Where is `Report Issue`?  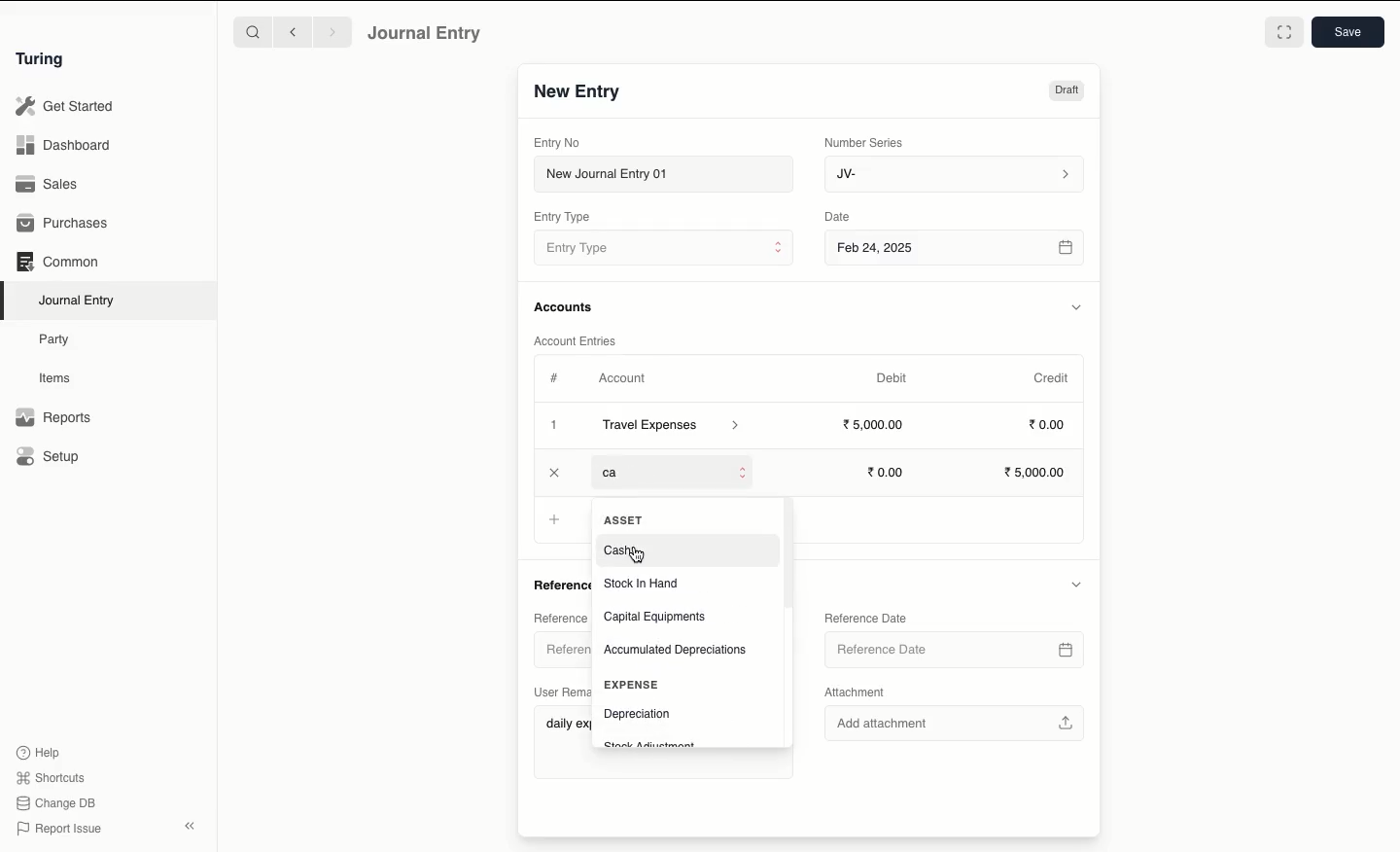
Report Issue is located at coordinates (61, 830).